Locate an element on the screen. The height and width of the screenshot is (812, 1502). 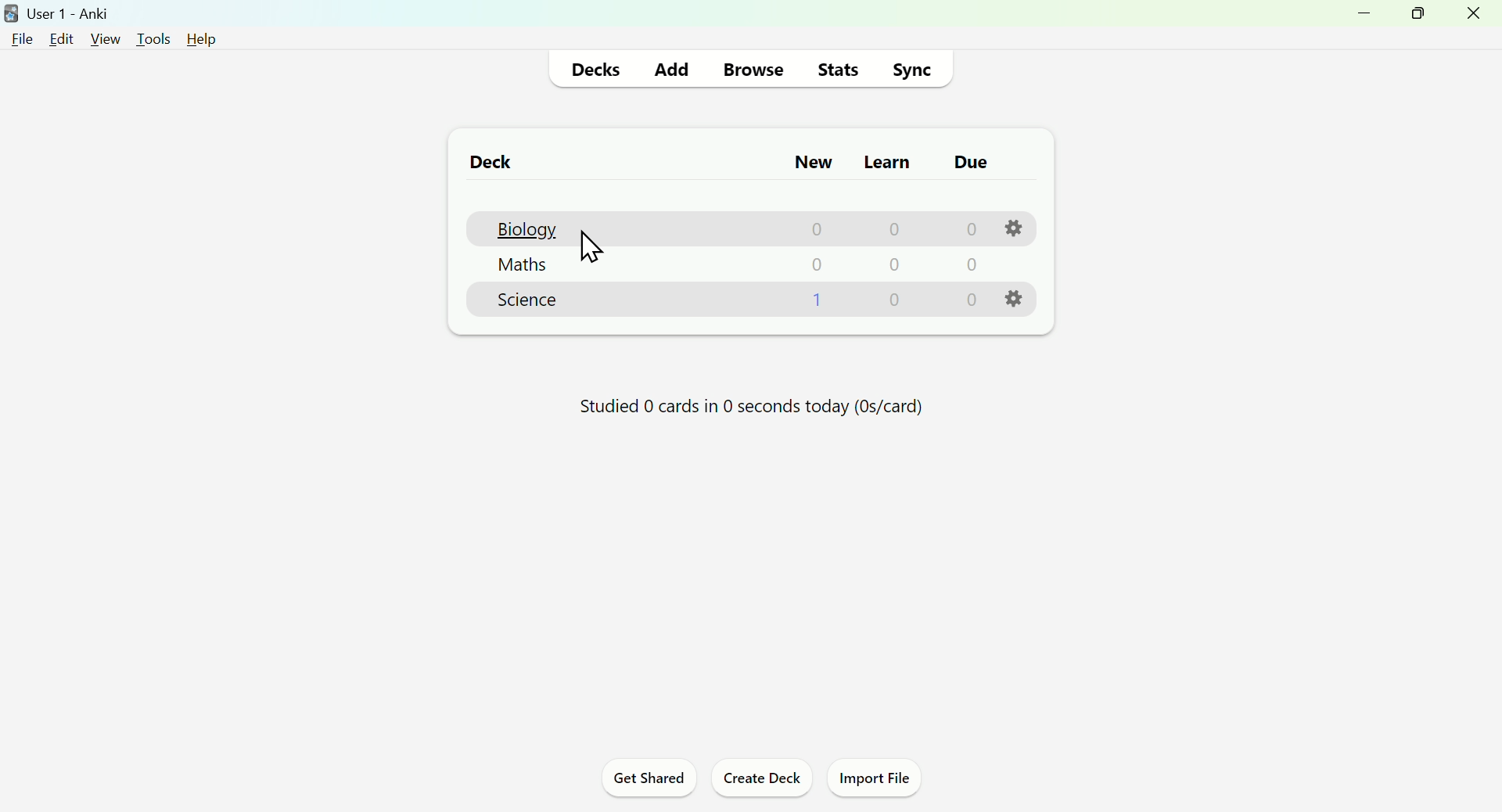
0 is located at coordinates (895, 304).